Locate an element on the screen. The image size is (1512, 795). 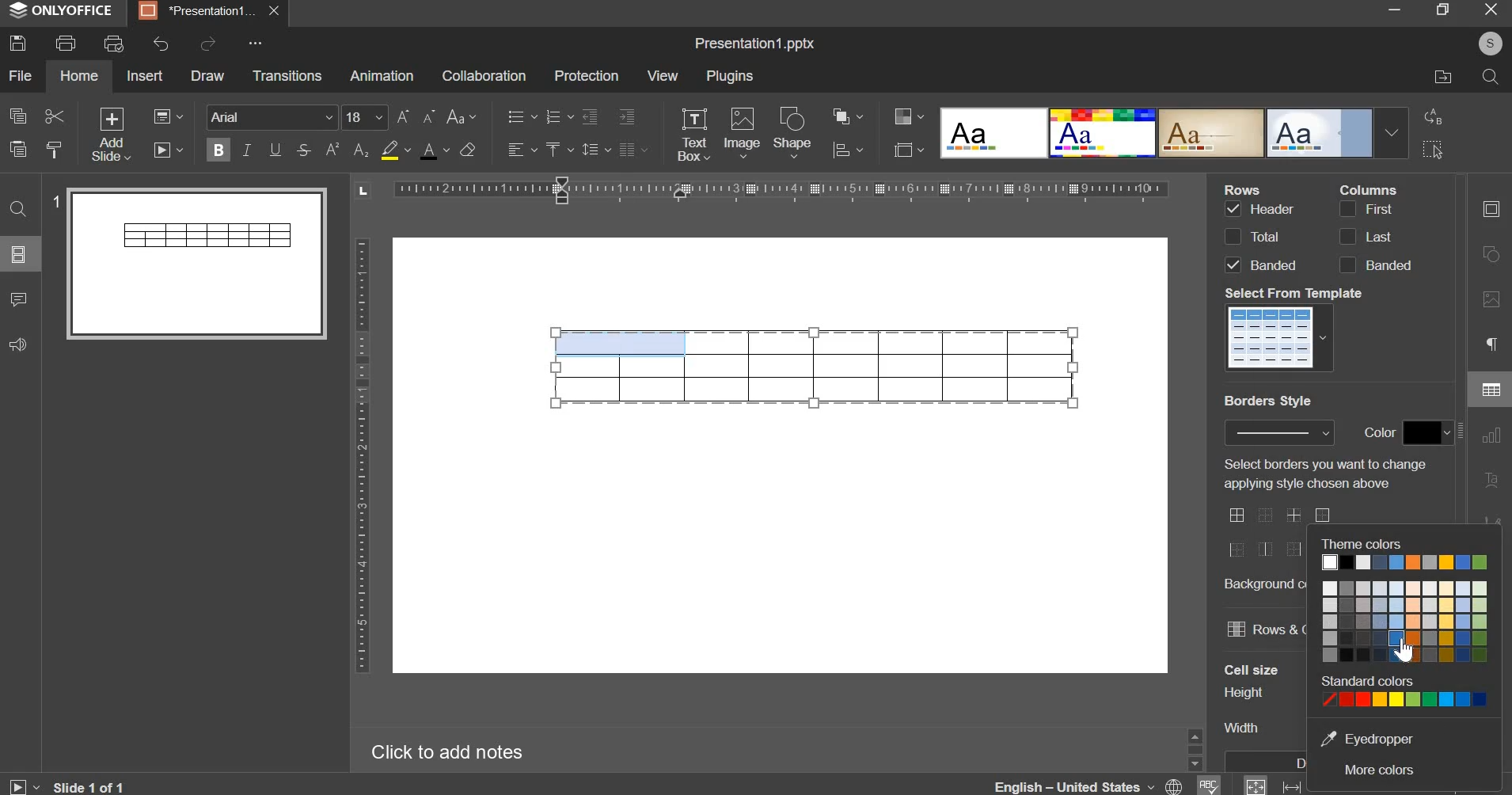
arrange object is located at coordinates (847, 116).